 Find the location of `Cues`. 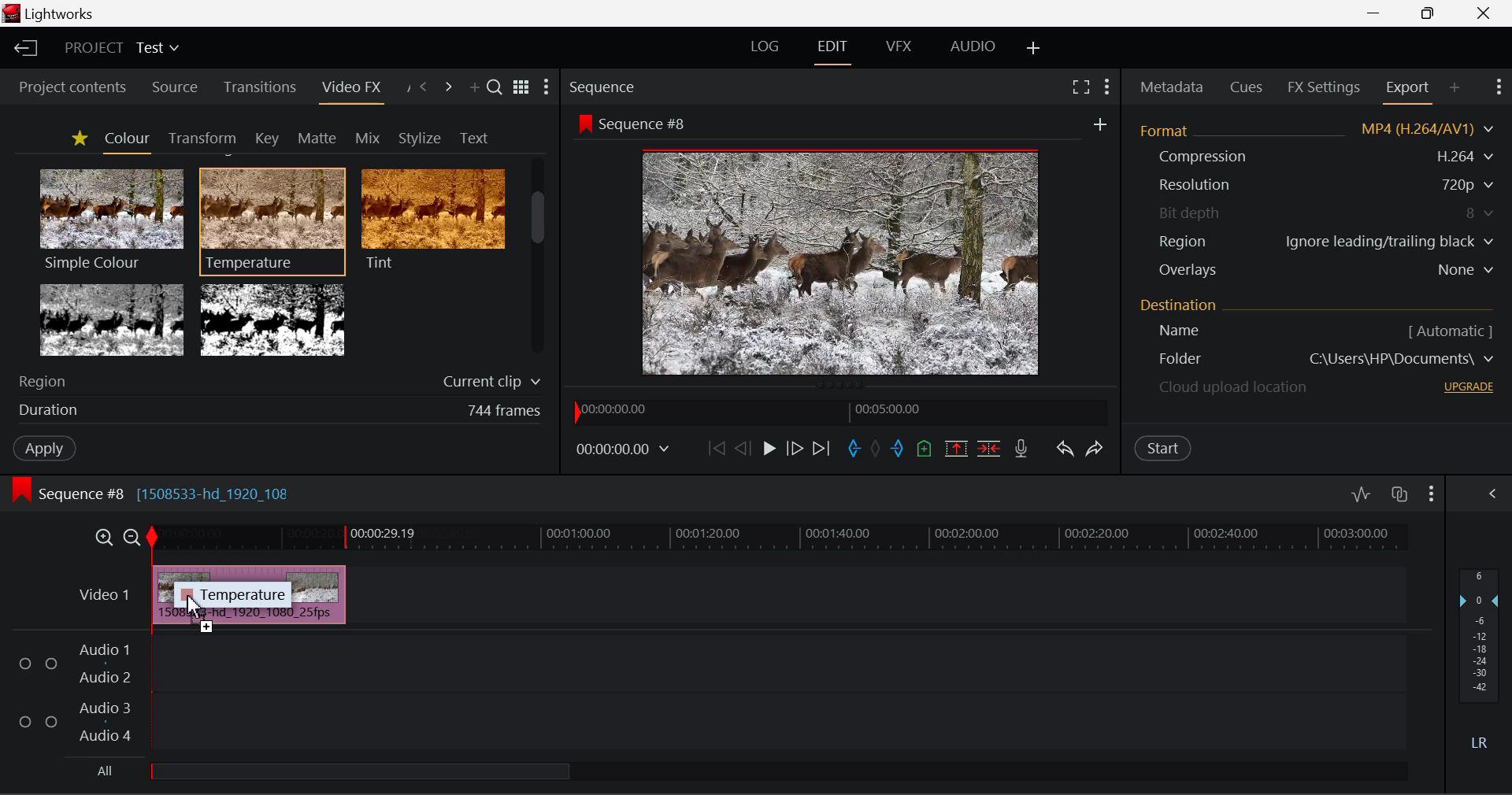

Cues is located at coordinates (1247, 86).